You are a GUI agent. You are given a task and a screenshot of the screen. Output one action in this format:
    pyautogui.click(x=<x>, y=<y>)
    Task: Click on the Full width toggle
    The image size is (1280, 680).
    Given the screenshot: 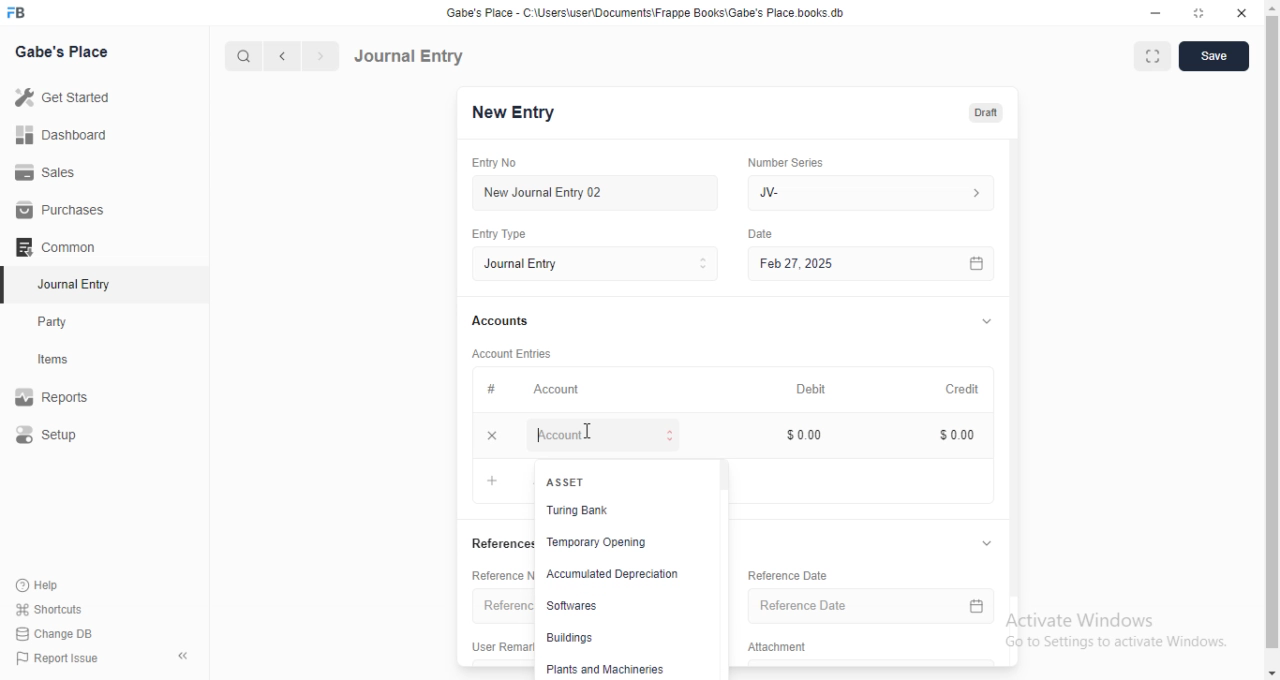 What is the action you would take?
    pyautogui.click(x=1151, y=56)
    